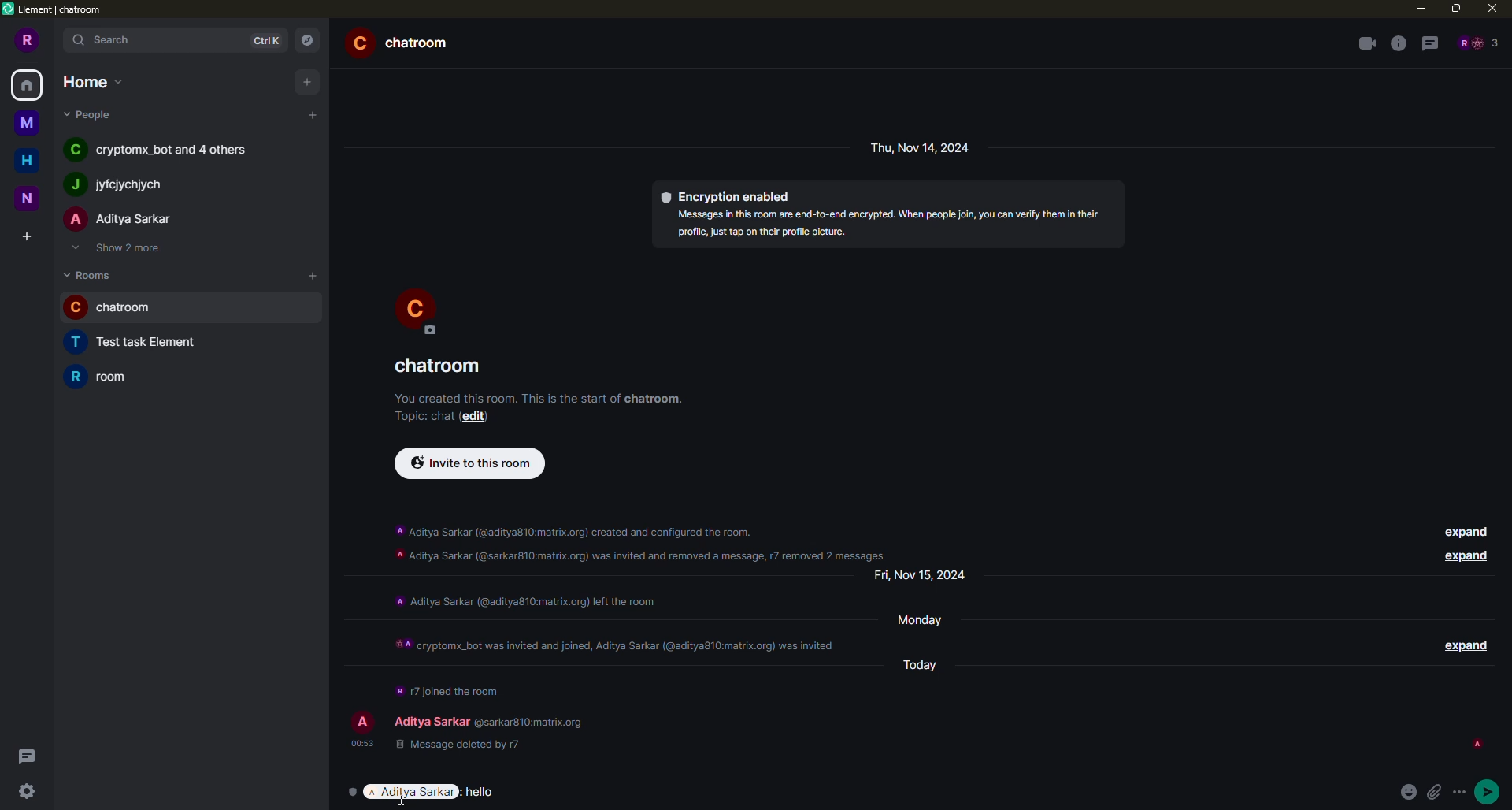  I want to click on room, so click(441, 366).